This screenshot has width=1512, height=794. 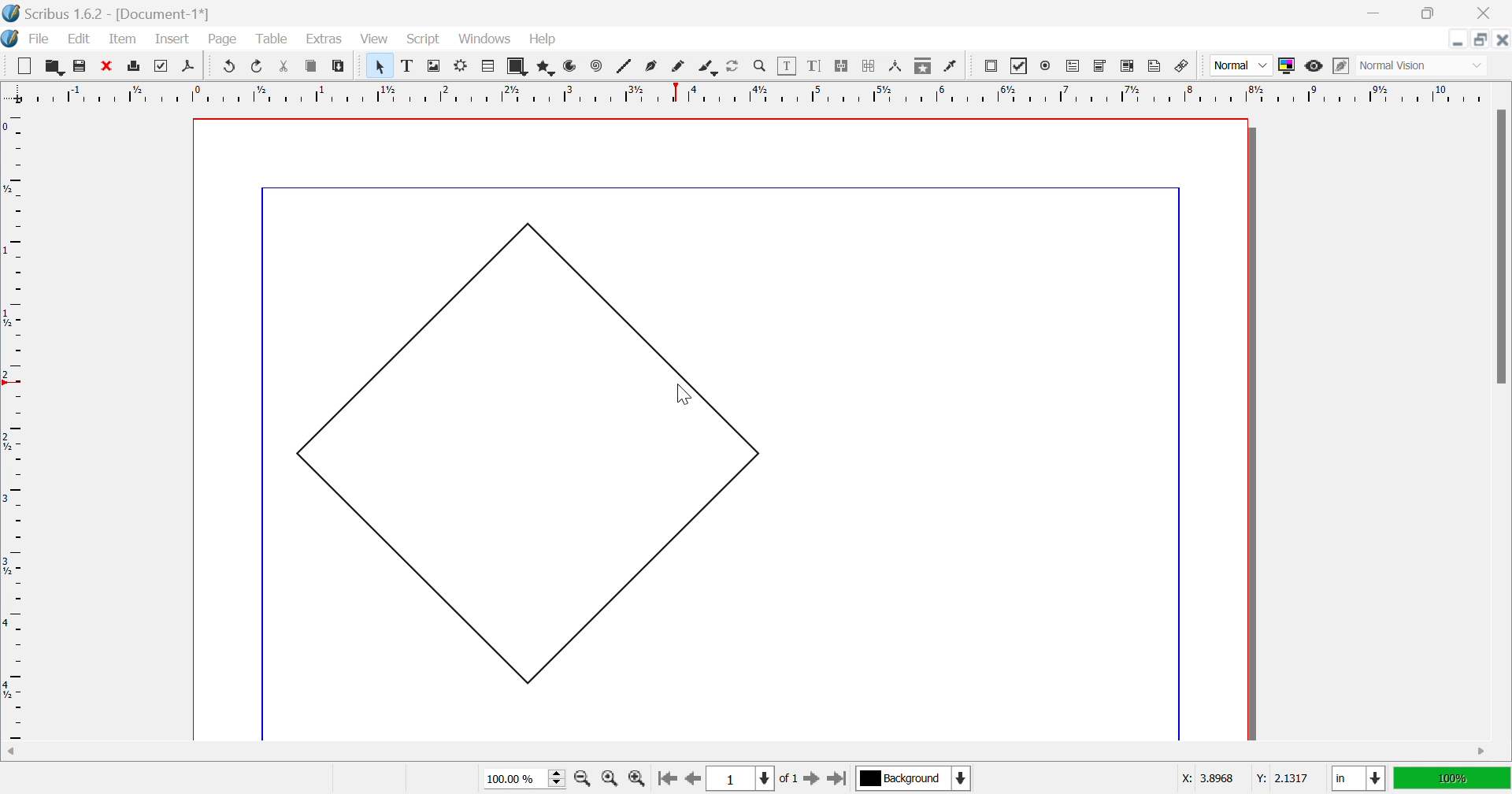 What do you see at coordinates (461, 65) in the screenshot?
I see `Render frame` at bounding box center [461, 65].